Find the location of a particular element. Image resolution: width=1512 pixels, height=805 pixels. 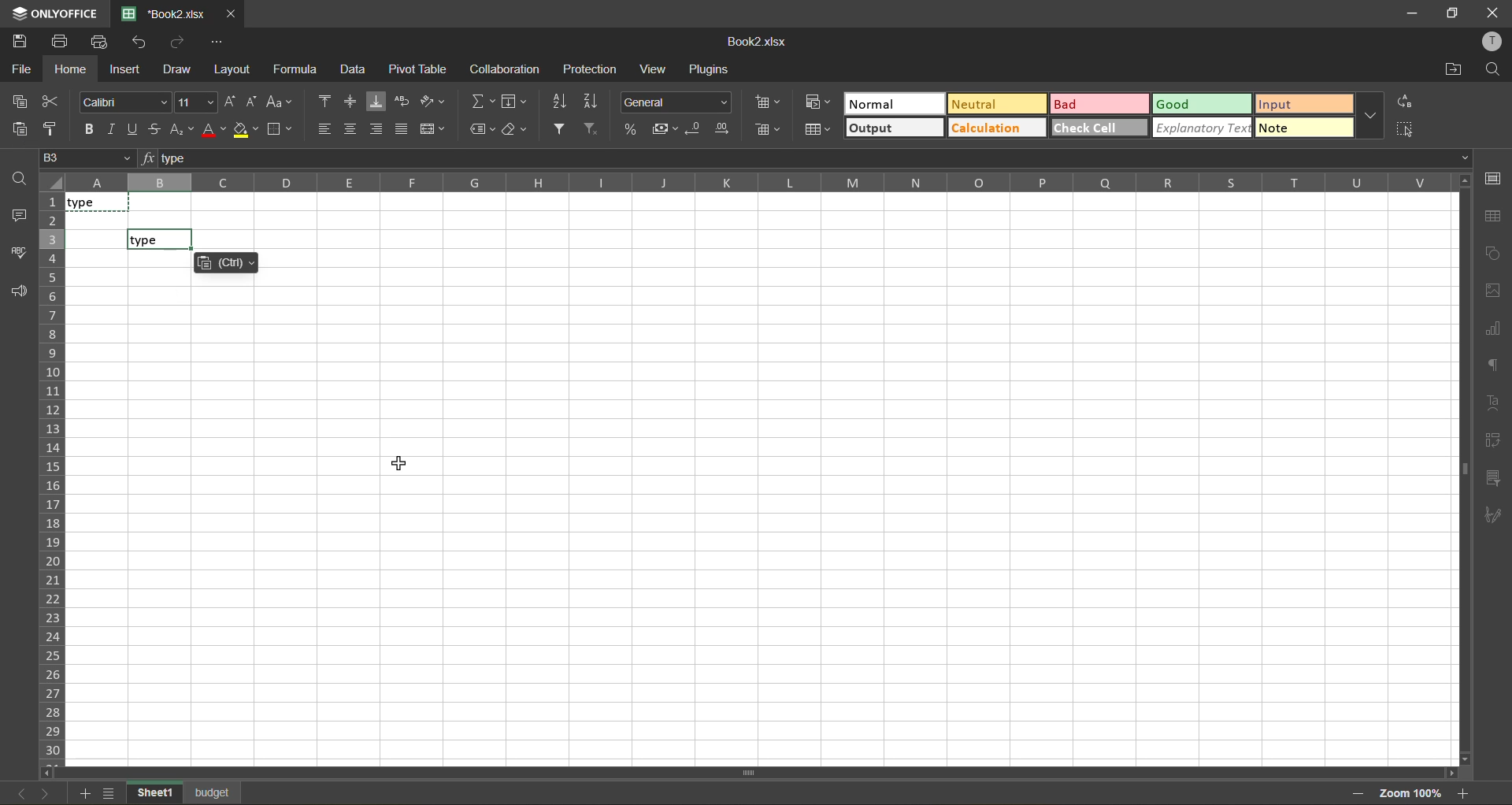

sheet names is located at coordinates (185, 792).